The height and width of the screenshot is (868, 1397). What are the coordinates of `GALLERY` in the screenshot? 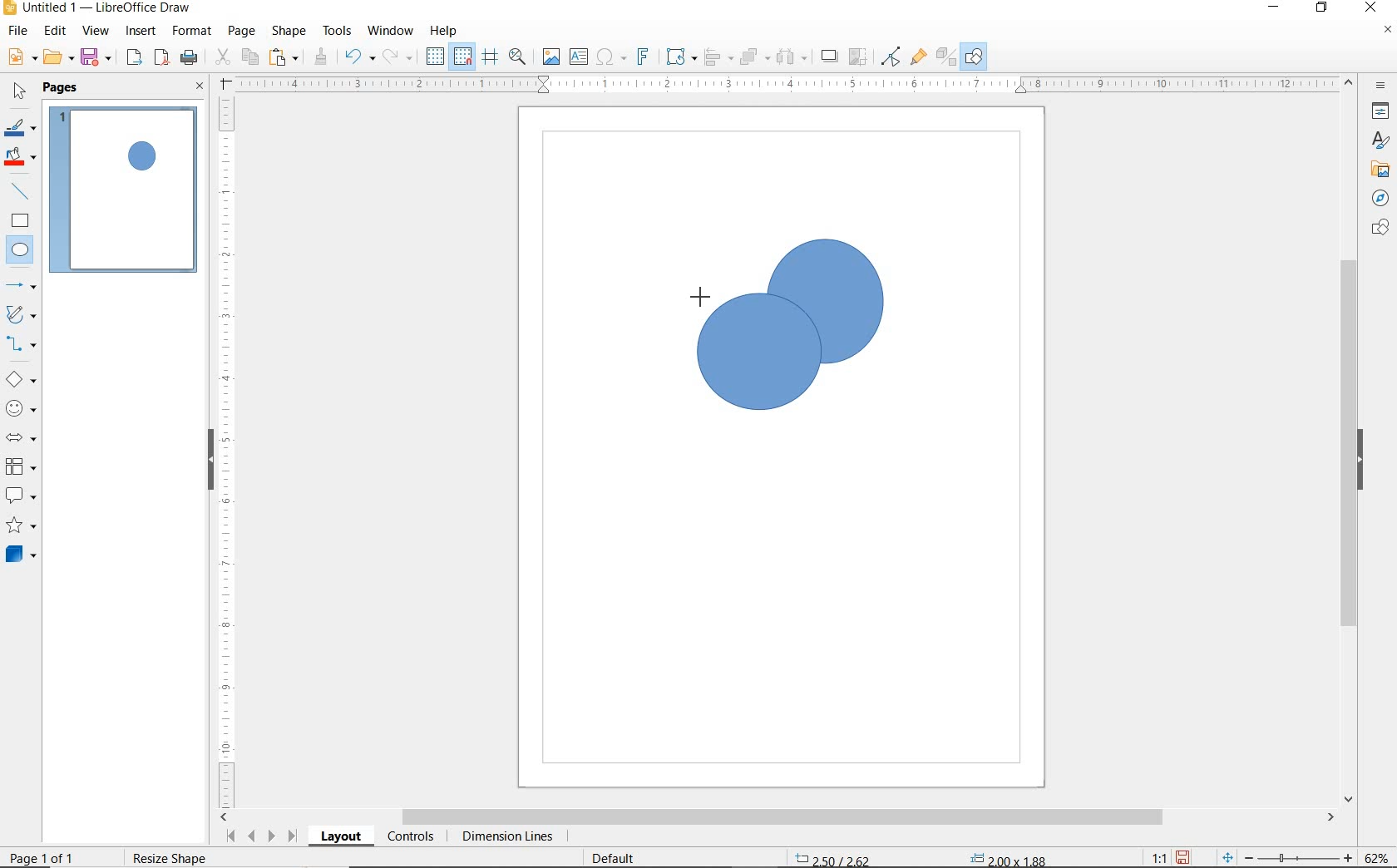 It's located at (1378, 170).